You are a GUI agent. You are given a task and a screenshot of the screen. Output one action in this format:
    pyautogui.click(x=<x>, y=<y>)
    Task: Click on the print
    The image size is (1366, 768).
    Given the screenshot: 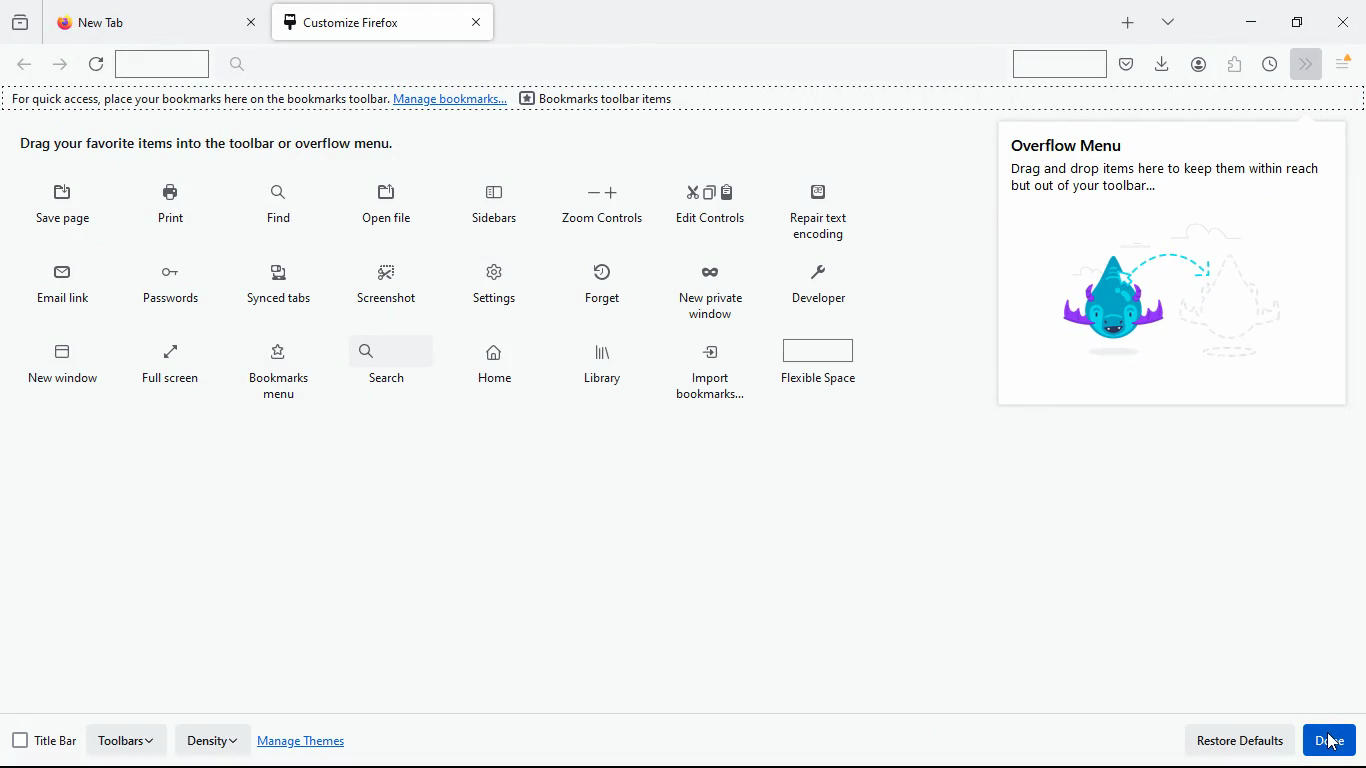 What is the action you would take?
    pyautogui.click(x=279, y=207)
    